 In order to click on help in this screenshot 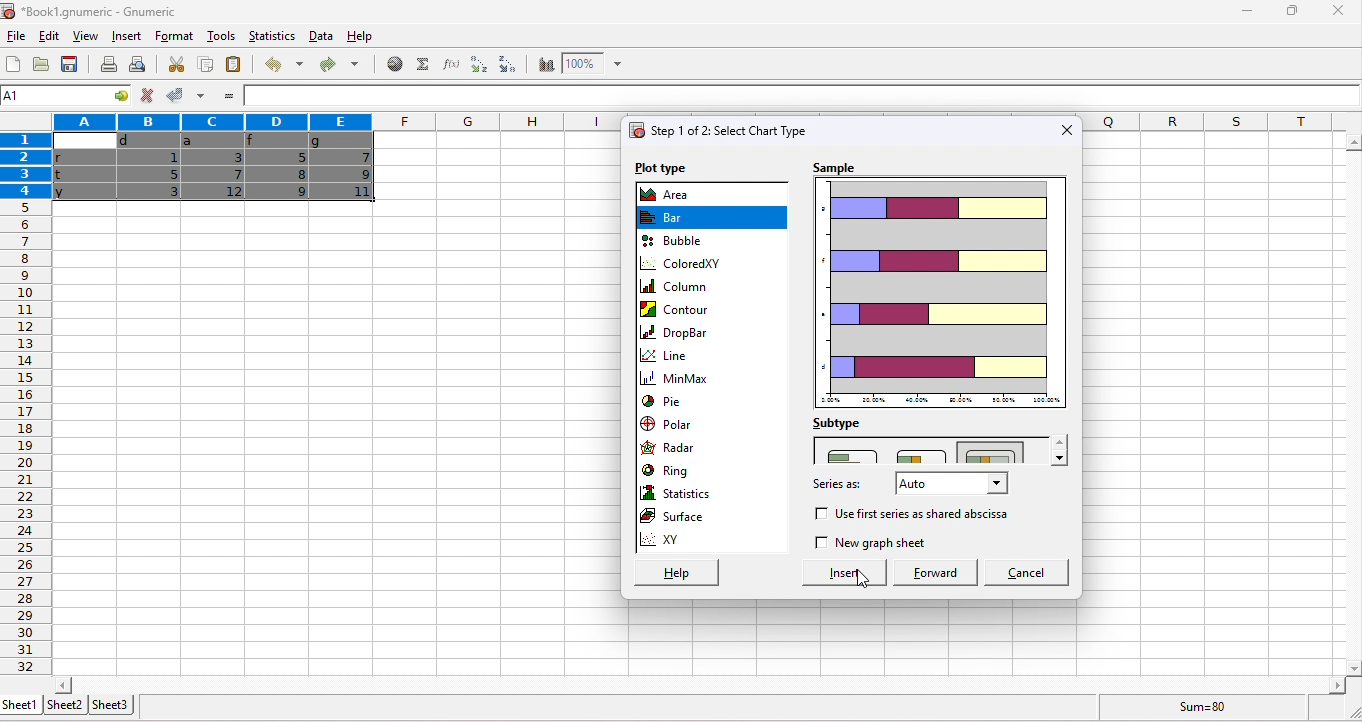, I will do `click(361, 36)`.